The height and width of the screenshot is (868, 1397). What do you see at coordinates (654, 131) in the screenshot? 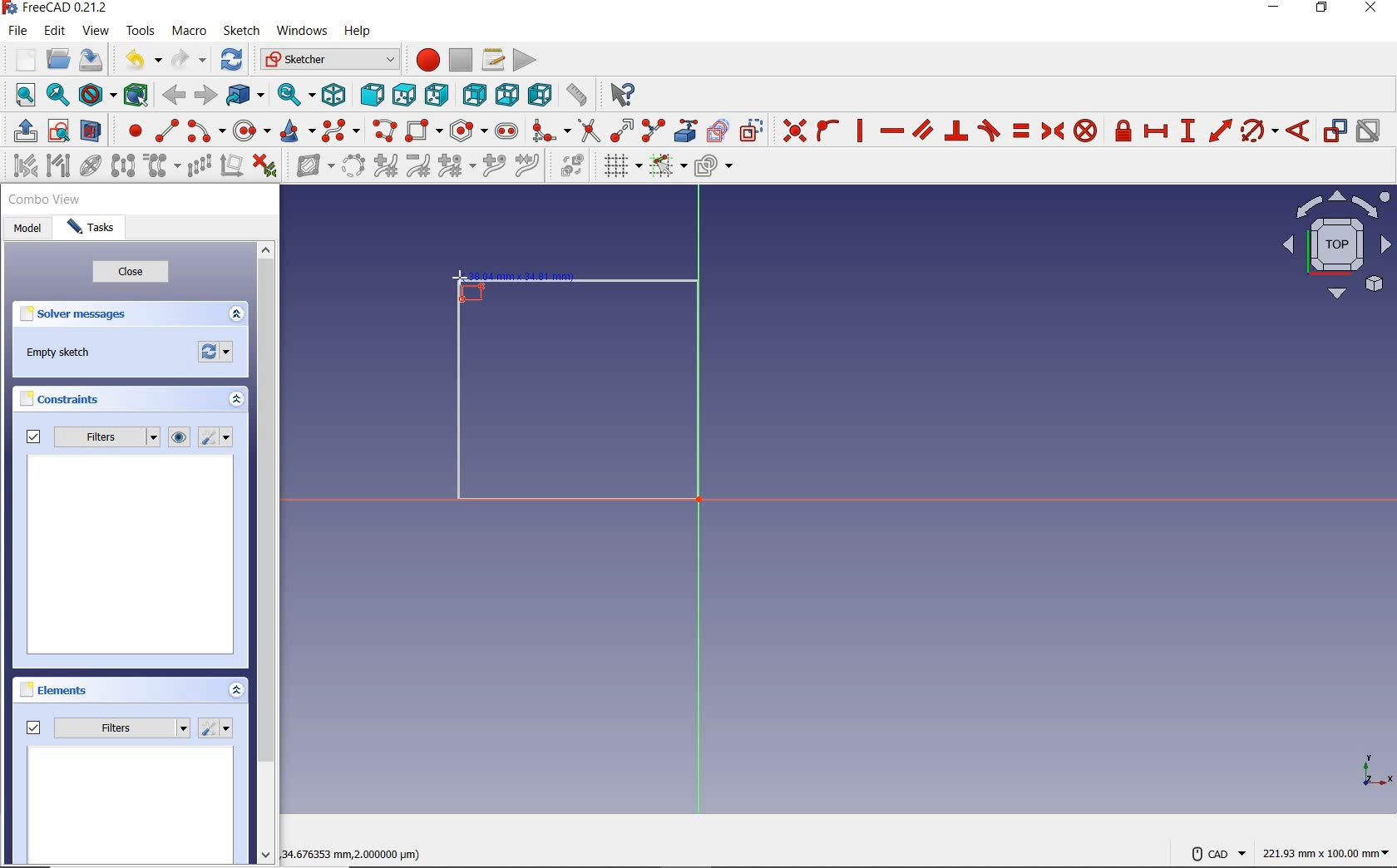
I see `split edge` at bounding box center [654, 131].